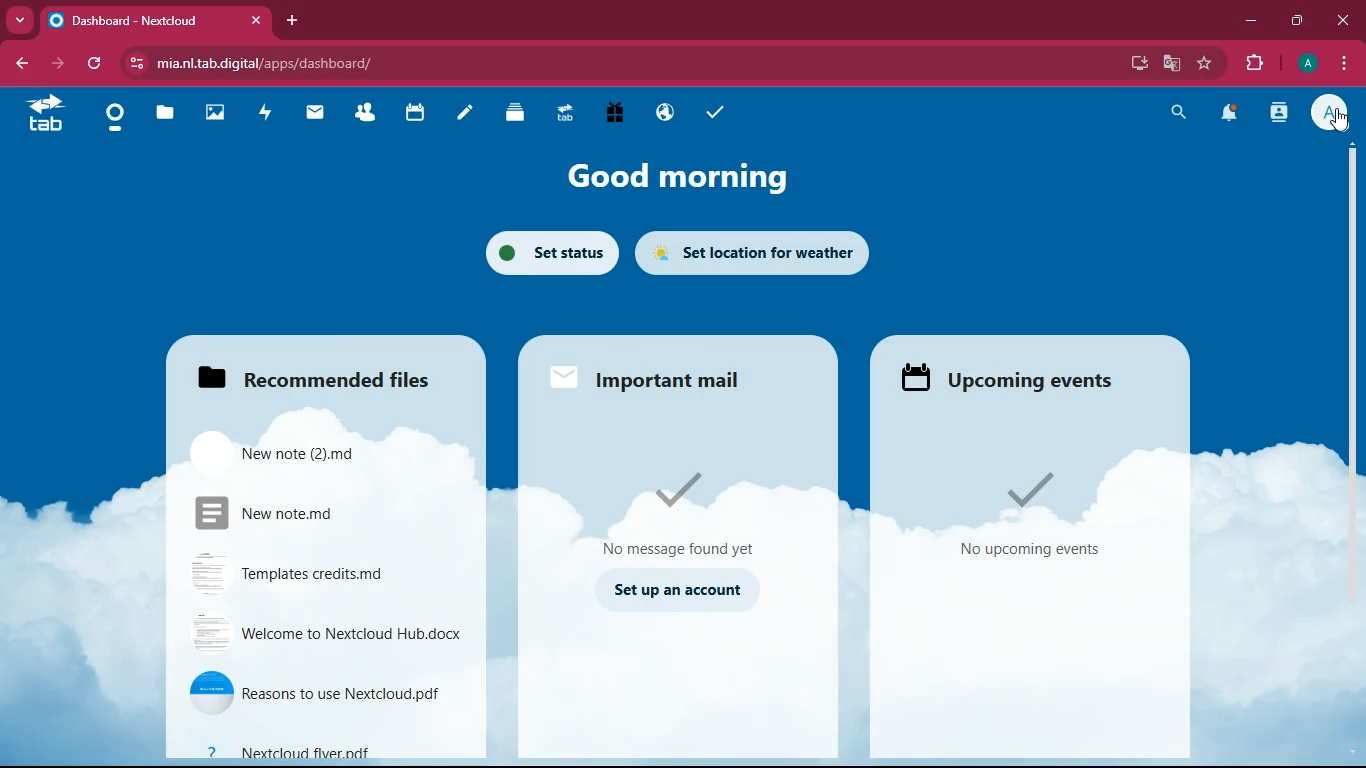 Image resolution: width=1366 pixels, height=768 pixels. What do you see at coordinates (155, 23) in the screenshot?
I see `tab` at bounding box center [155, 23].